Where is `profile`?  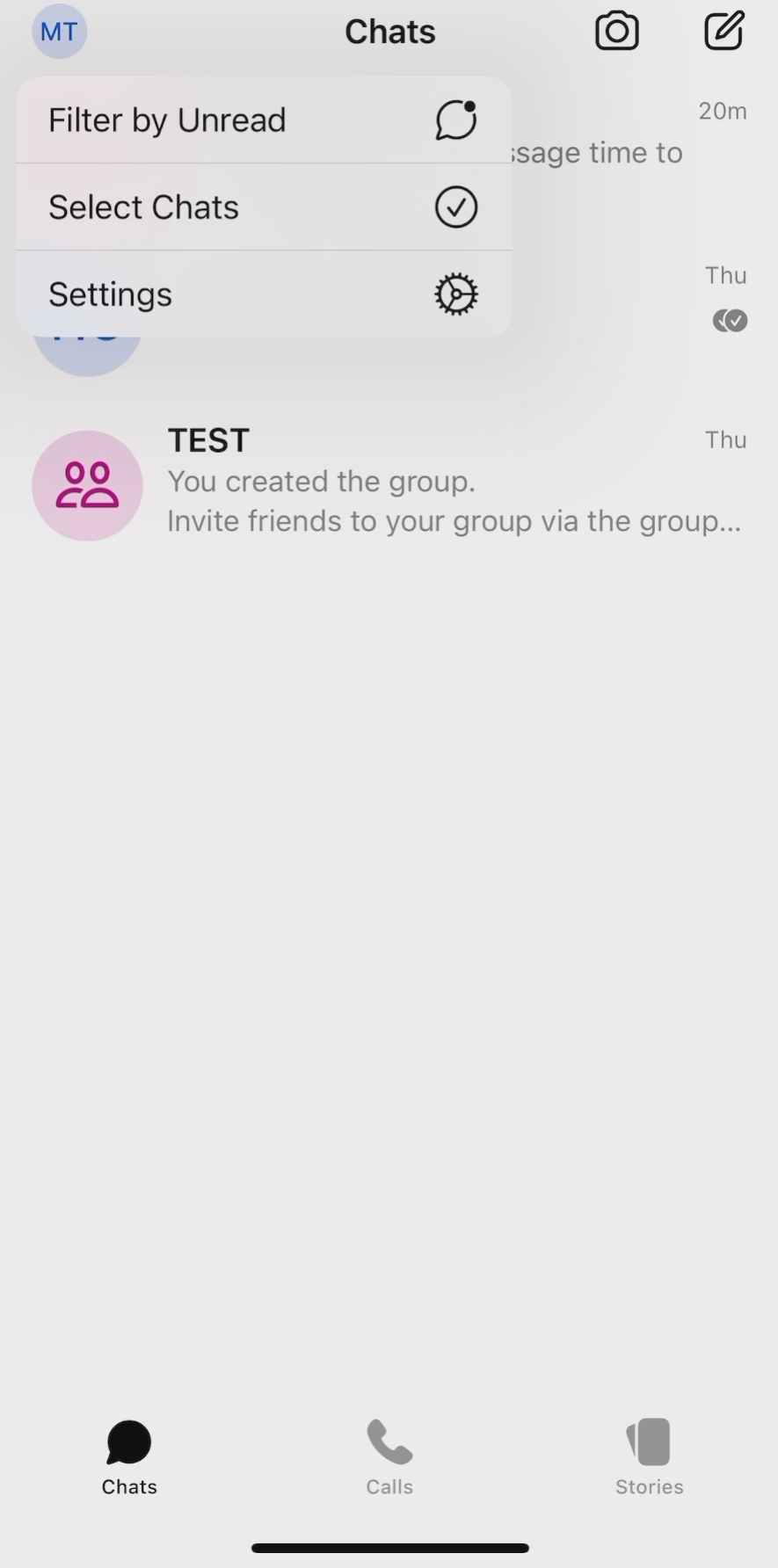 profile is located at coordinates (57, 32).